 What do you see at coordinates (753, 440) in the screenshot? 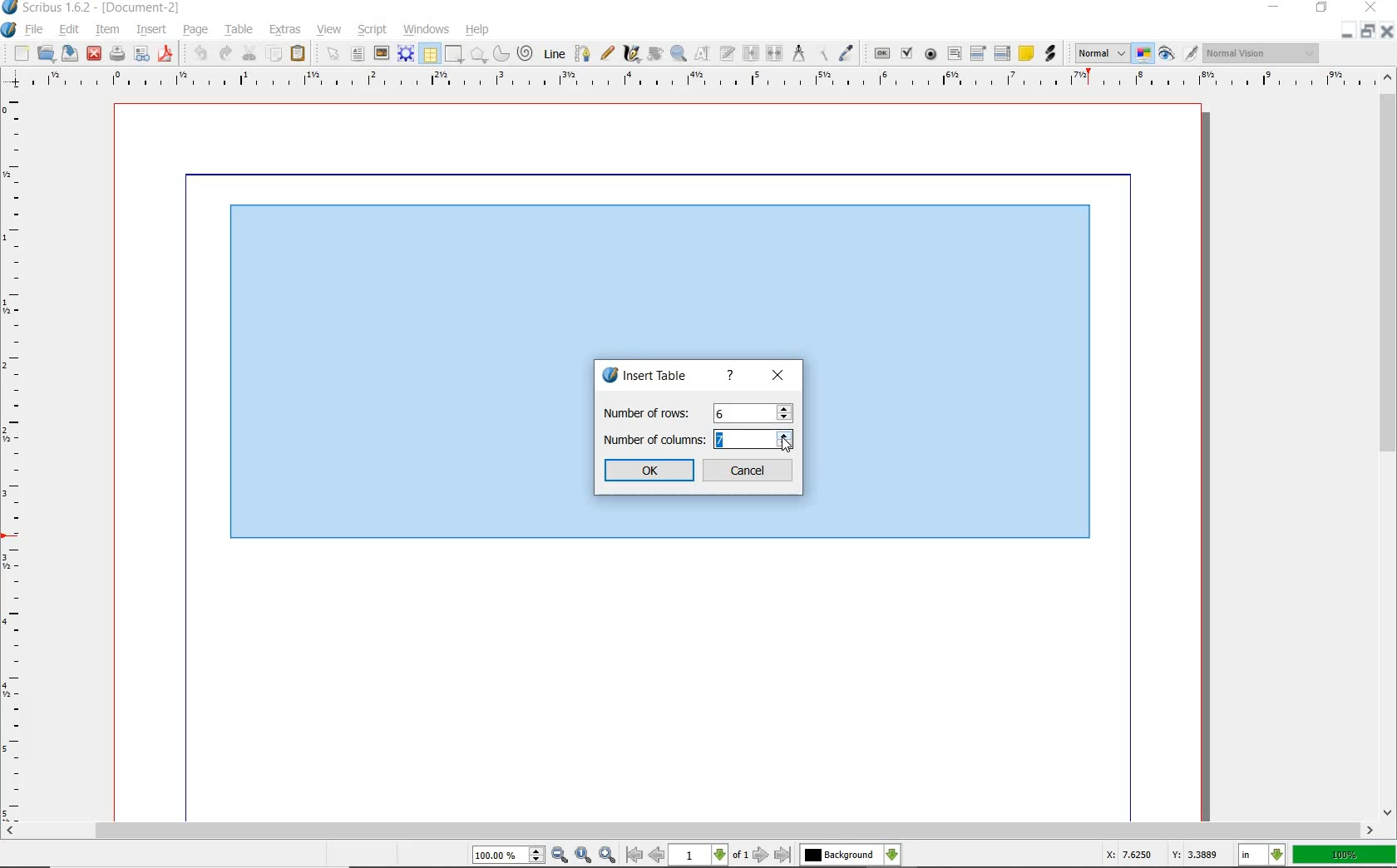
I see `column value` at bounding box center [753, 440].